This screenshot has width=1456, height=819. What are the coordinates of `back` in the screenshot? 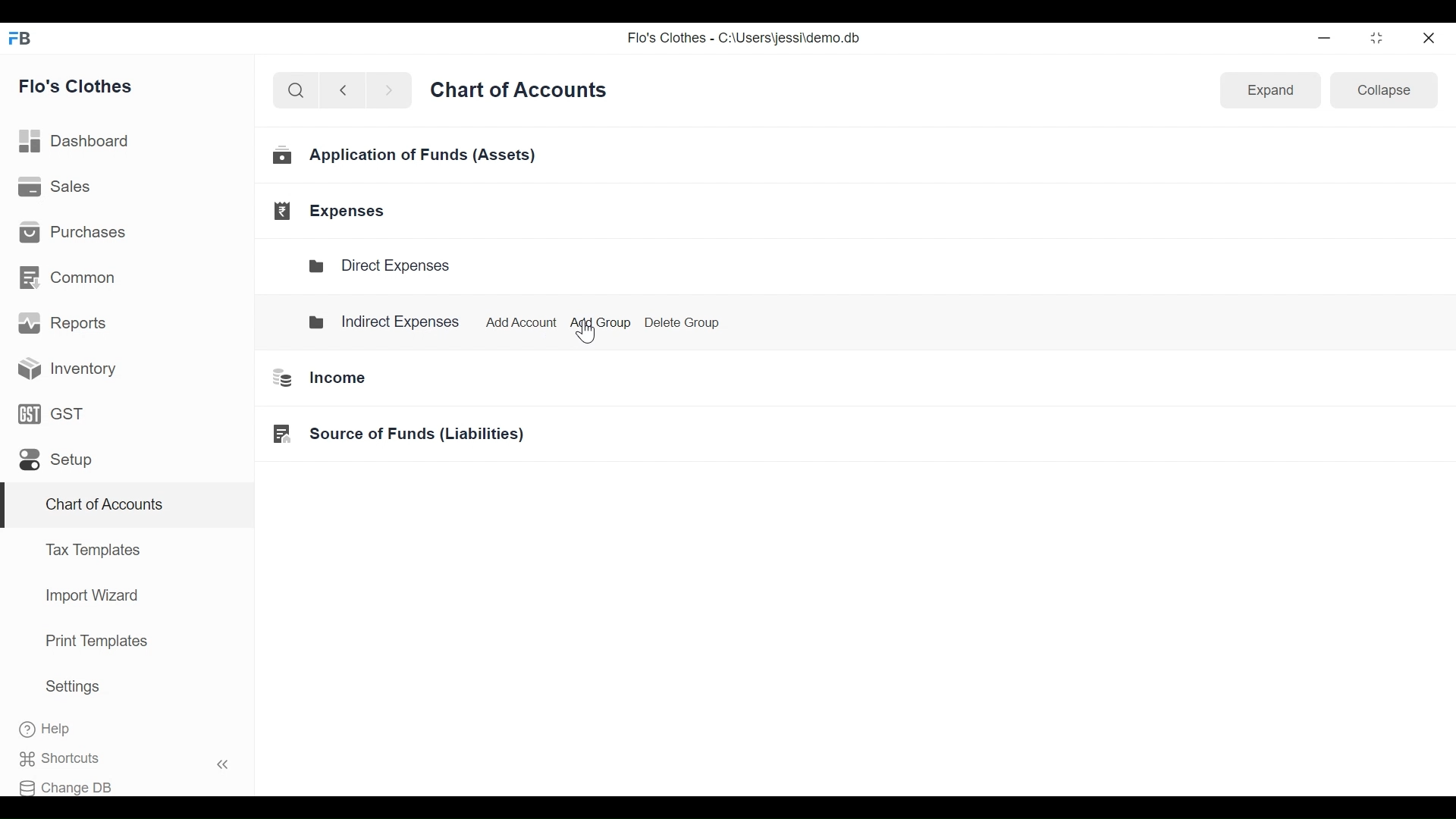 It's located at (349, 93).